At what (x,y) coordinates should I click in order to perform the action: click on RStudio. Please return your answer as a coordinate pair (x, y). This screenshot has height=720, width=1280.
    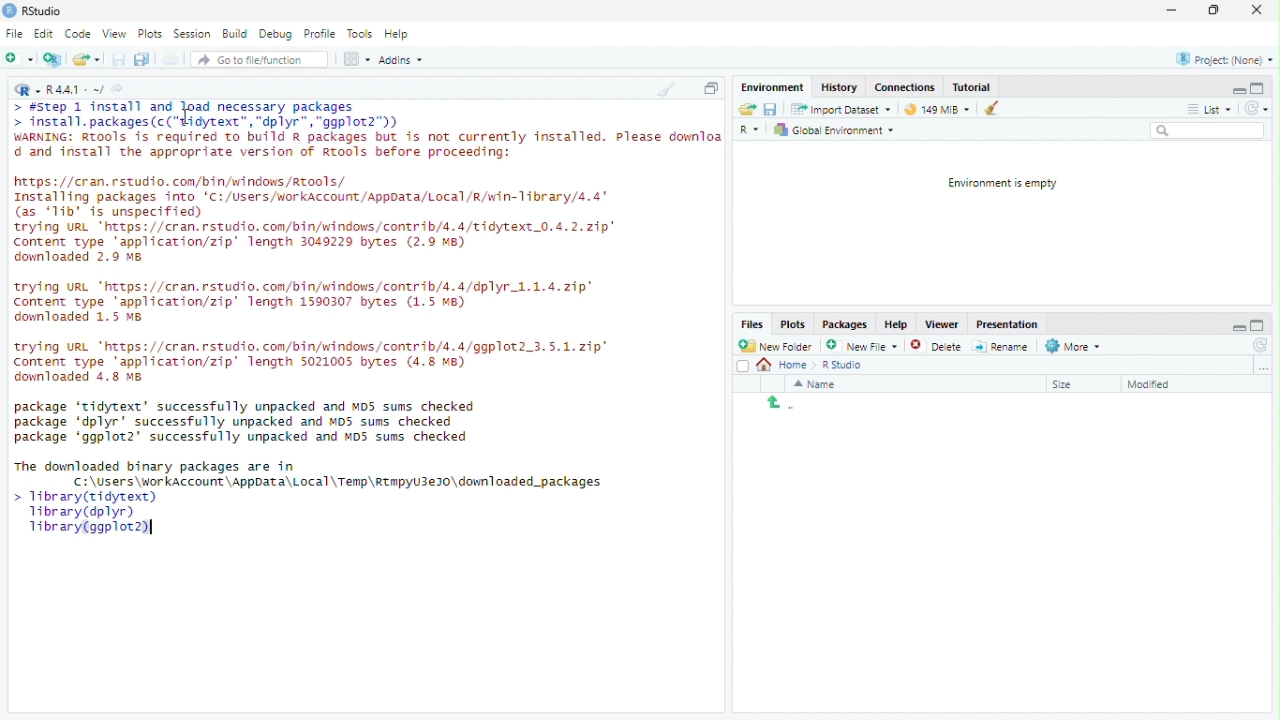
    Looking at the image, I should click on (33, 11).